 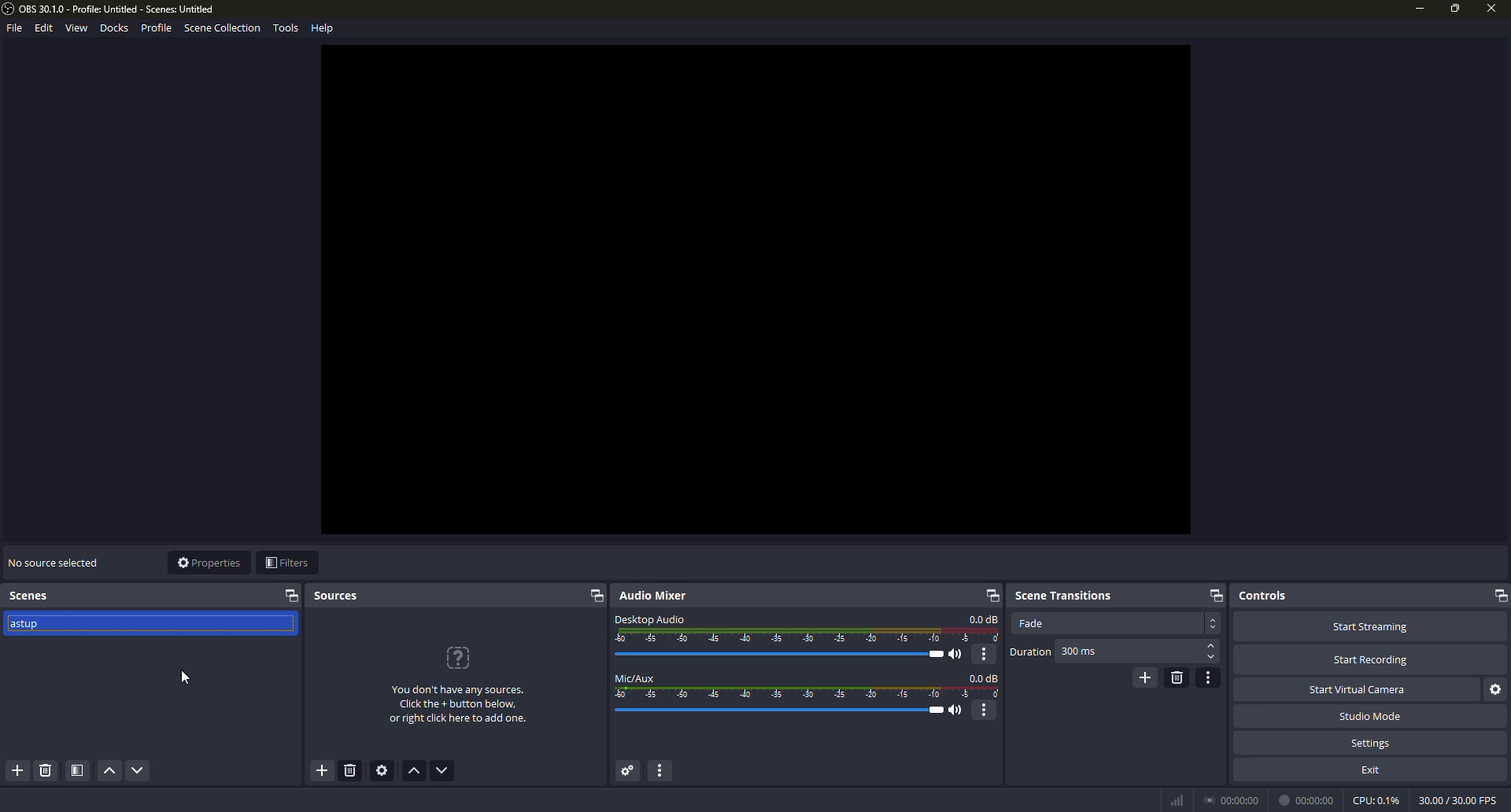 I want to click on transition properties, so click(x=1210, y=677).